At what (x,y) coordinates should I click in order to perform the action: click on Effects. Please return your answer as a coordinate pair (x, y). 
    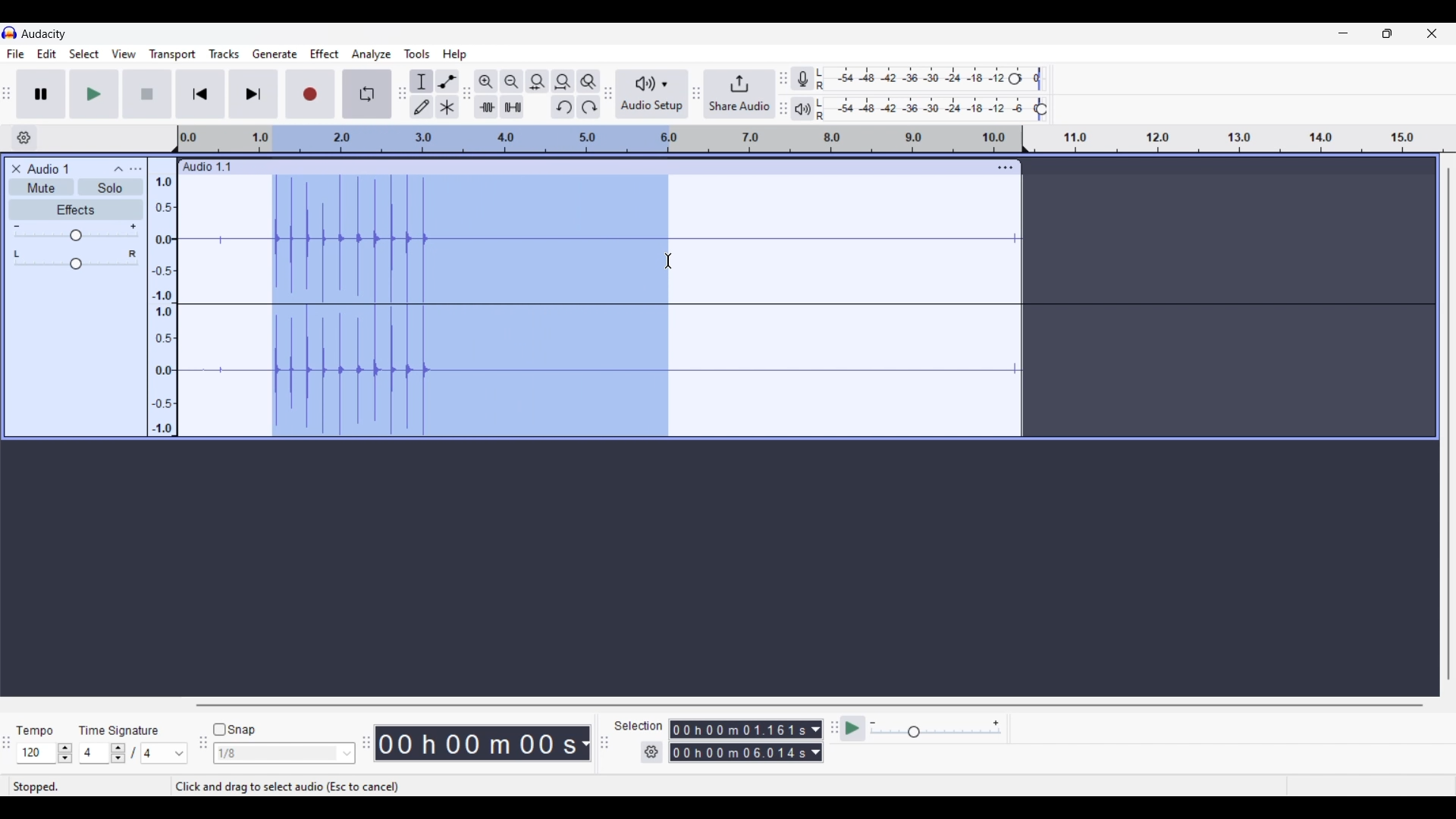
    Looking at the image, I should click on (76, 209).